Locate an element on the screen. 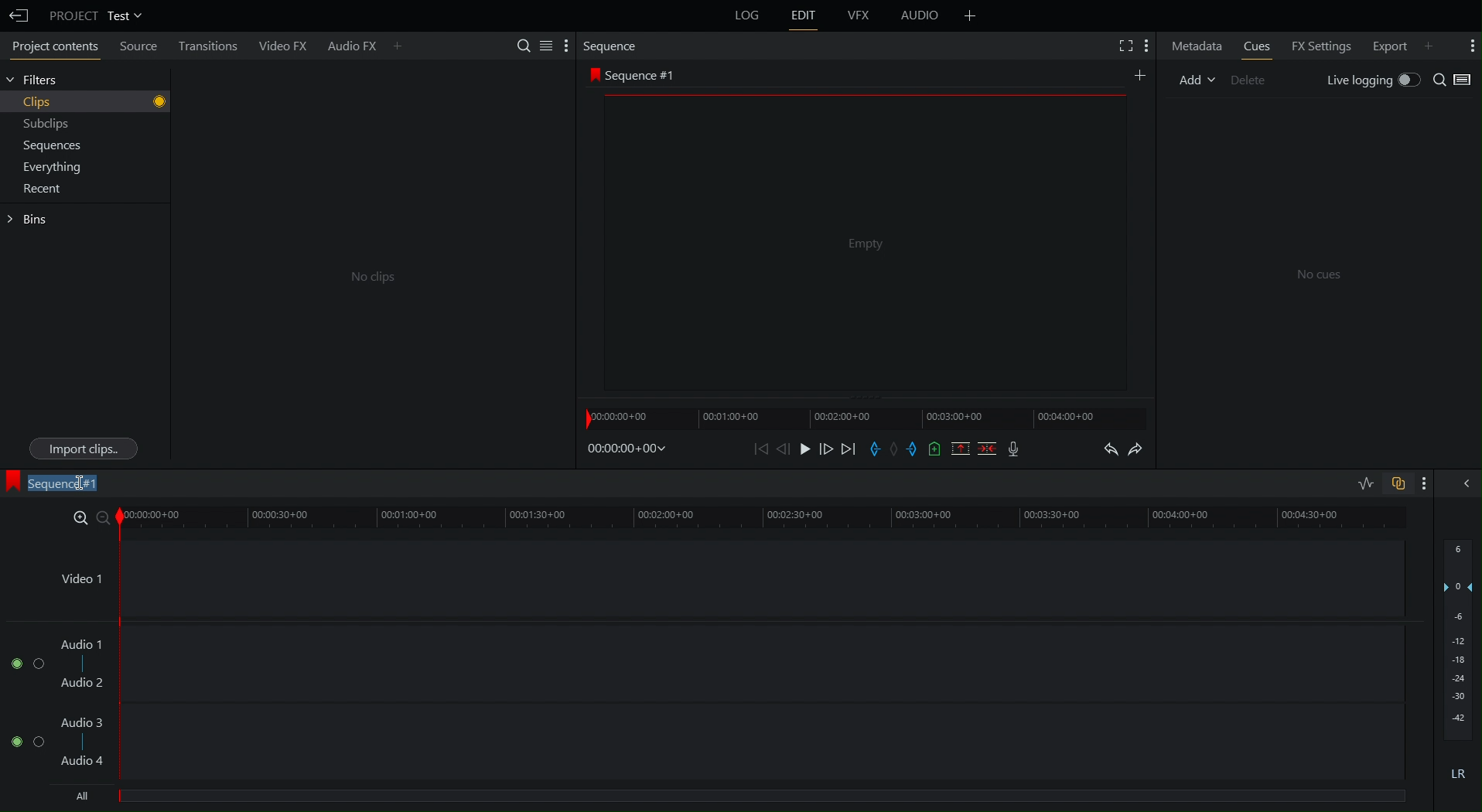 The width and height of the screenshot is (1482, 812). Live logging is located at coordinates (1372, 79).